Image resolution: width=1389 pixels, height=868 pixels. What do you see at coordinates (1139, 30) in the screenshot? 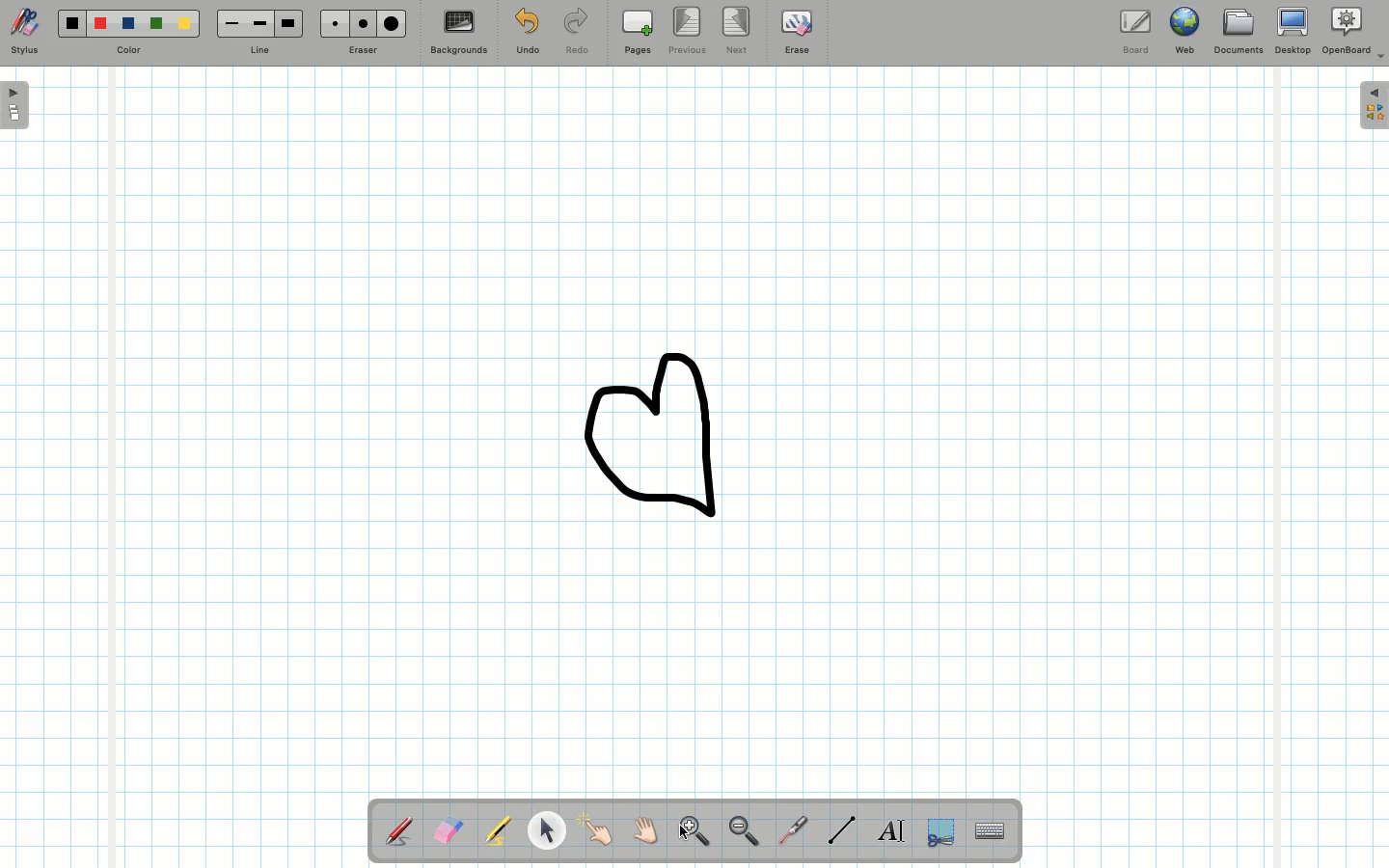
I see `Board` at bounding box center [1139, 30].